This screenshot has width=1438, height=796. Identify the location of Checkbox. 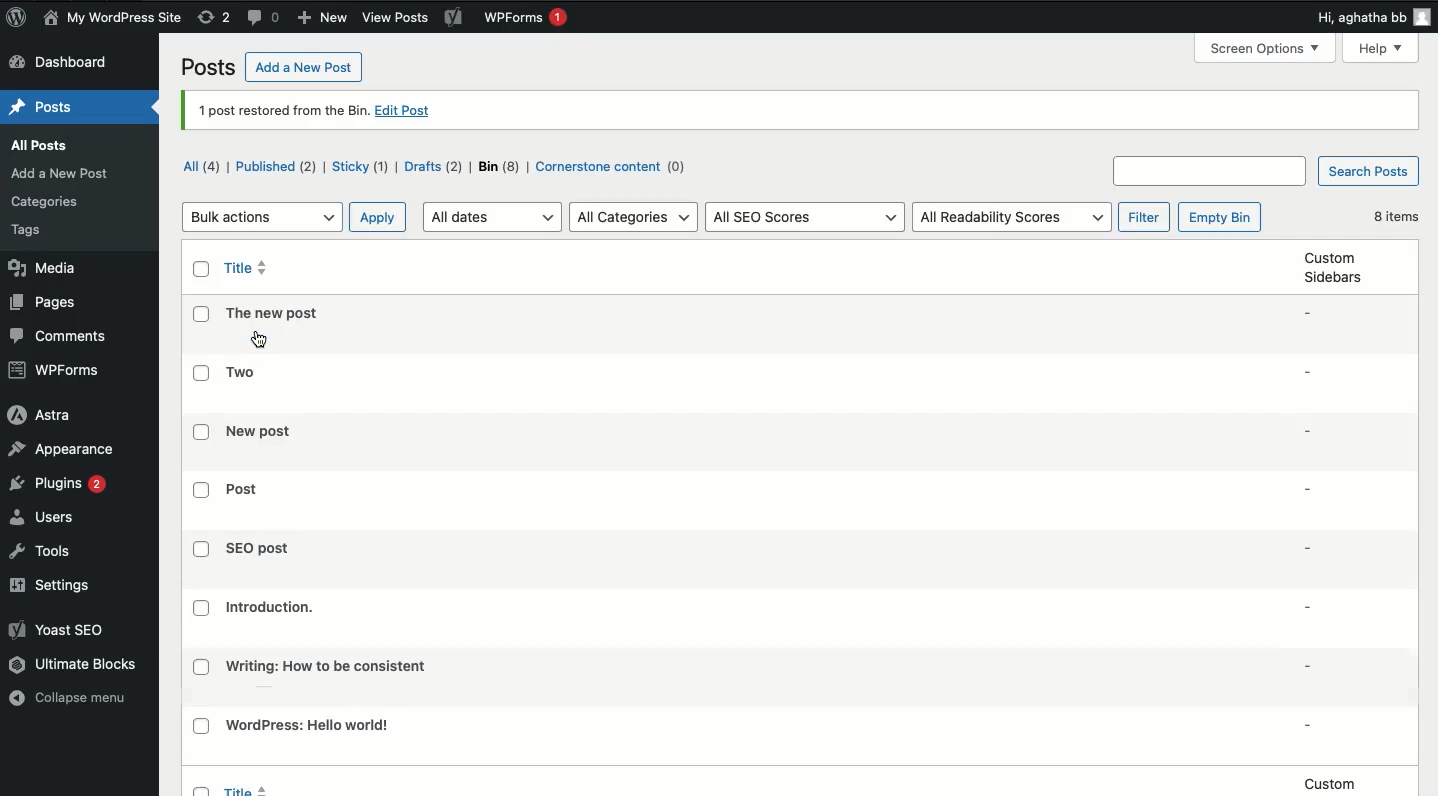
(201, 666).